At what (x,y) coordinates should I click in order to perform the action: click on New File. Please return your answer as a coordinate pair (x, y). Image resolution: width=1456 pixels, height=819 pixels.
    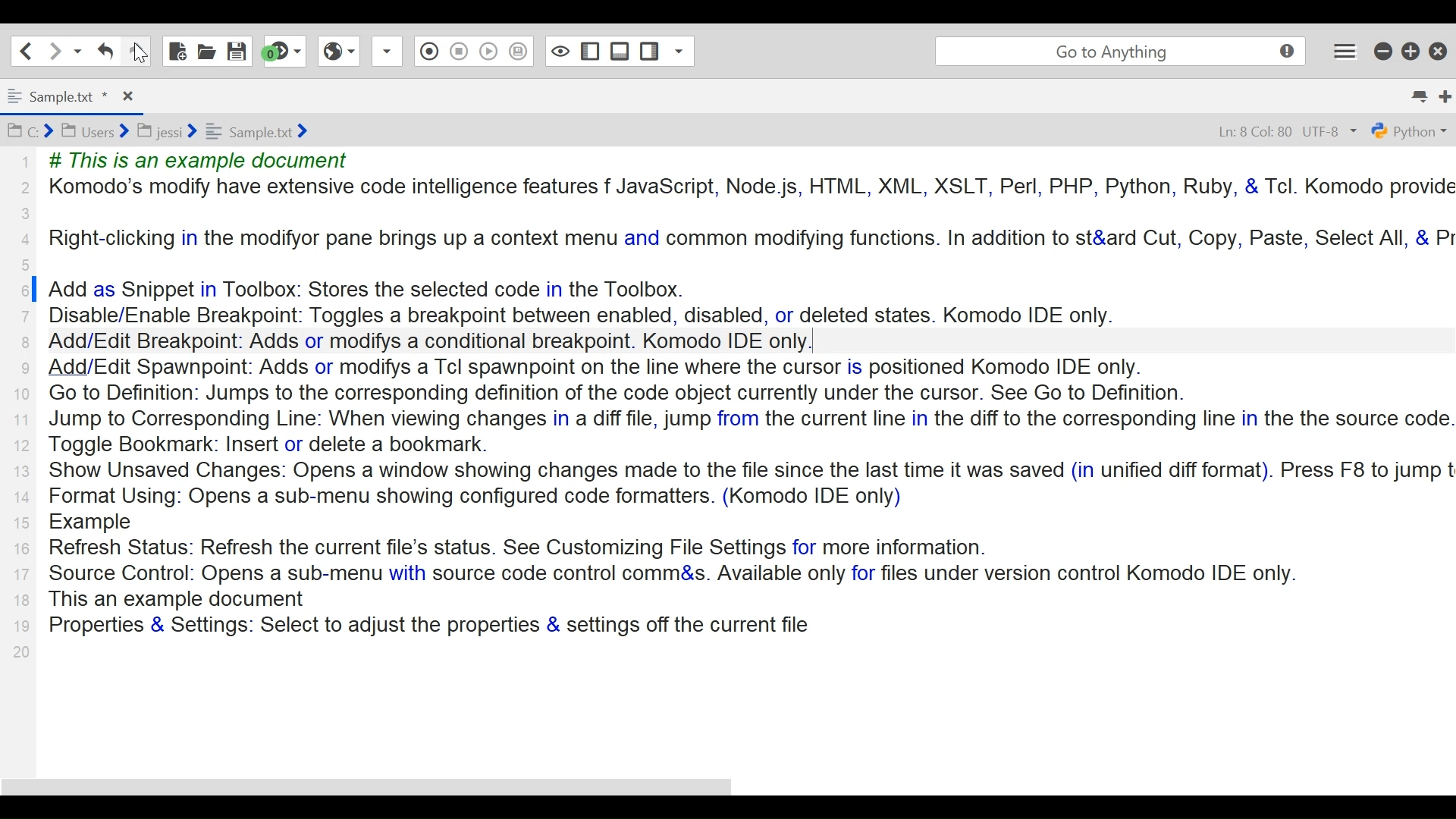
    Looking at the image, I should click on (177, 51).